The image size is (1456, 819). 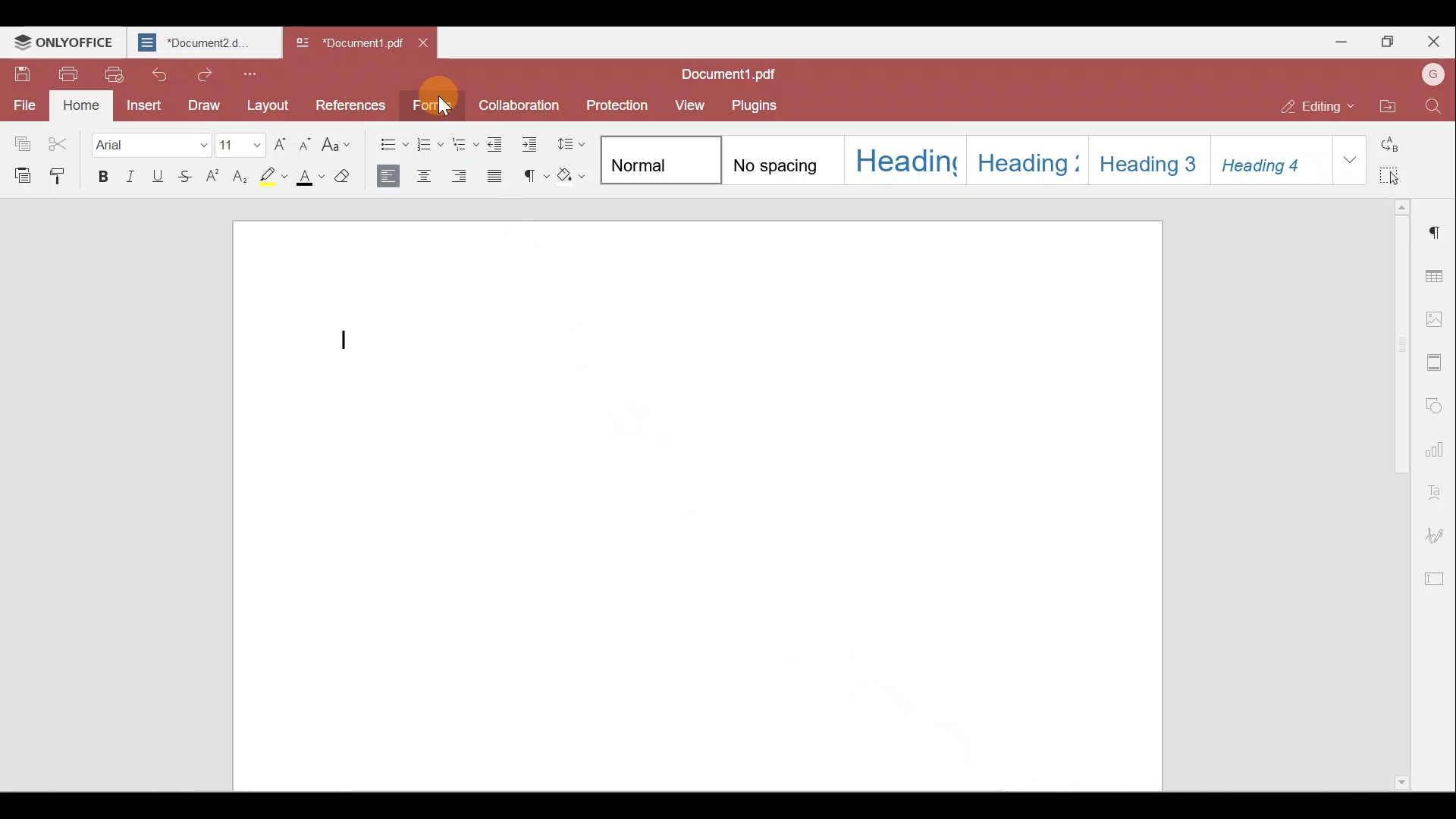 I want to click on Subscript, so click(x=244, y=177).